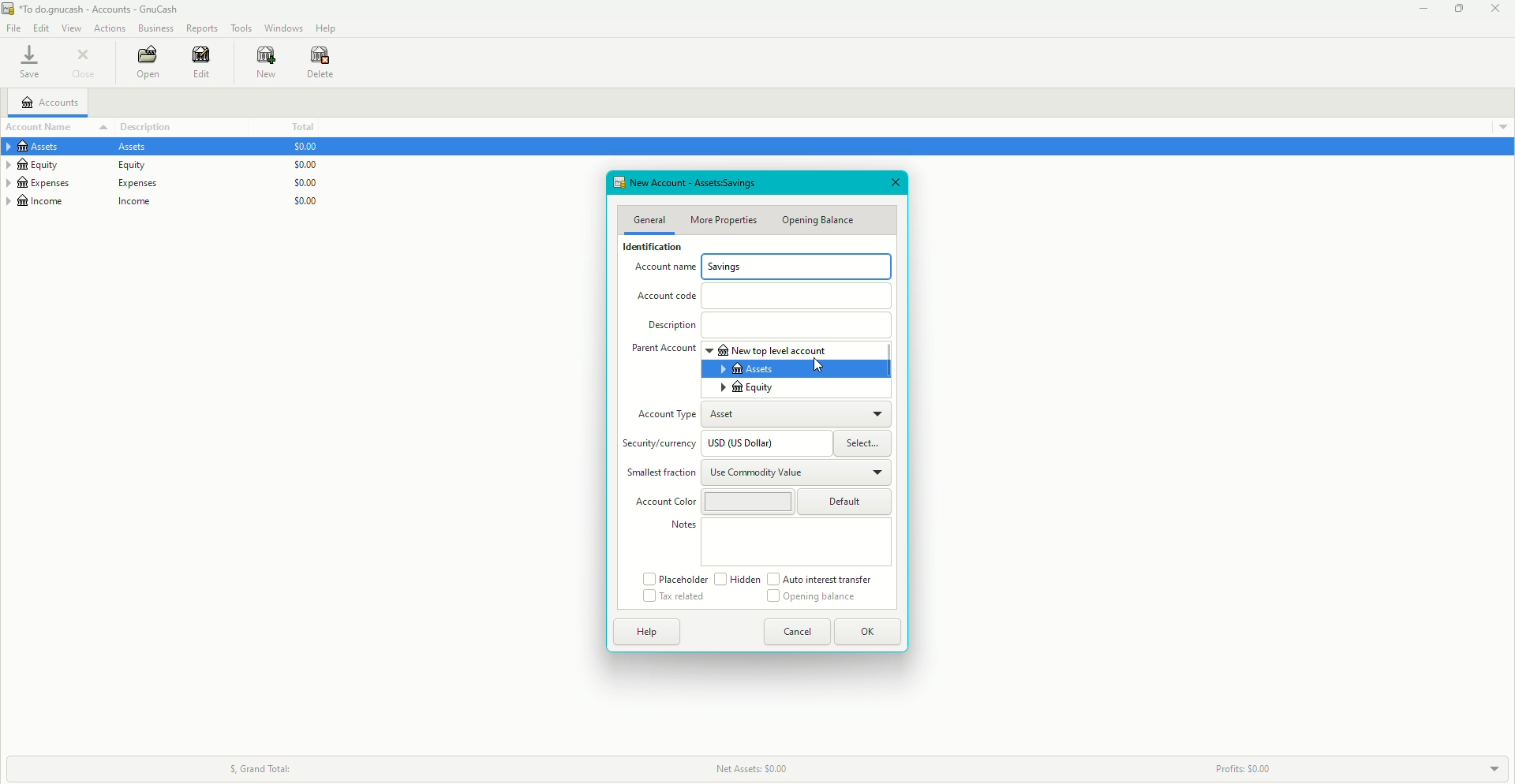 This screenshot has width=1515, height=784. Describe the element at coordinates (649, 219) in the screenshot. I see `General` at that location.